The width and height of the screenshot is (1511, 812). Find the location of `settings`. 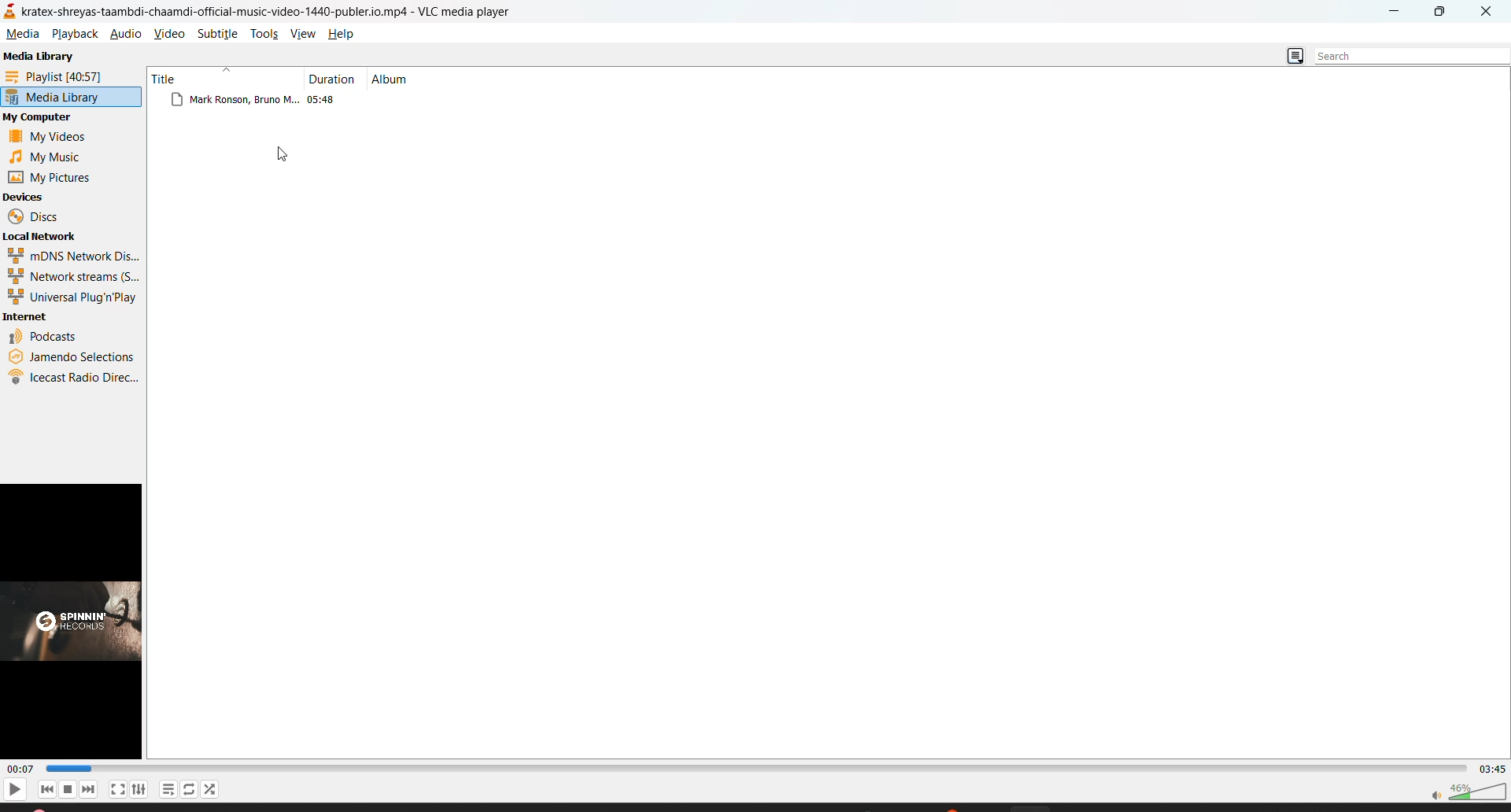

settings is located at coordinates (138, 789).